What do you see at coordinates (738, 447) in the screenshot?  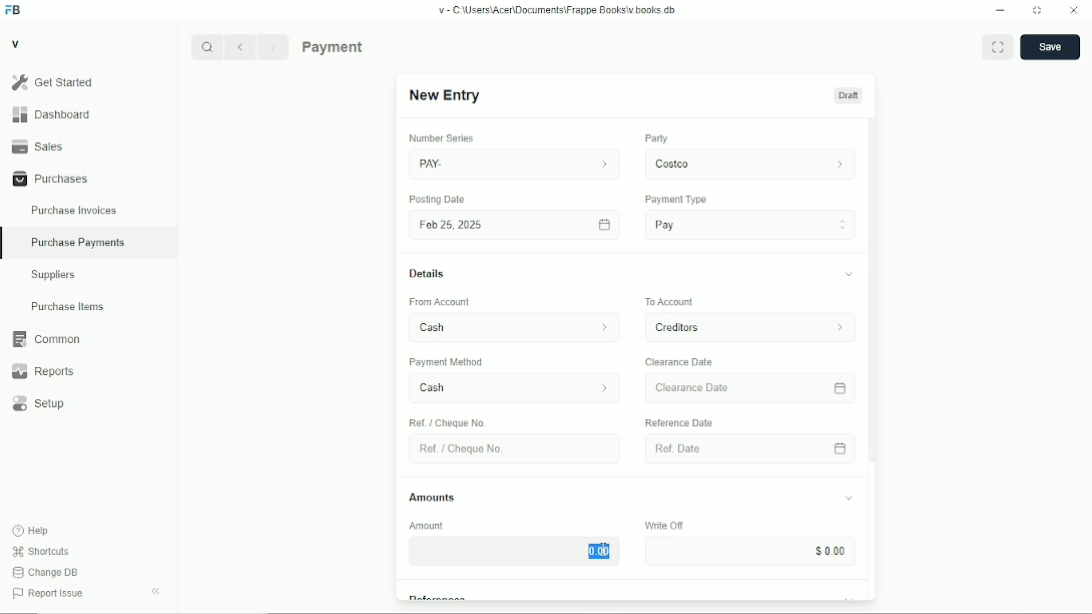 I see `Ref Date.` at bounding box center [738, 447].